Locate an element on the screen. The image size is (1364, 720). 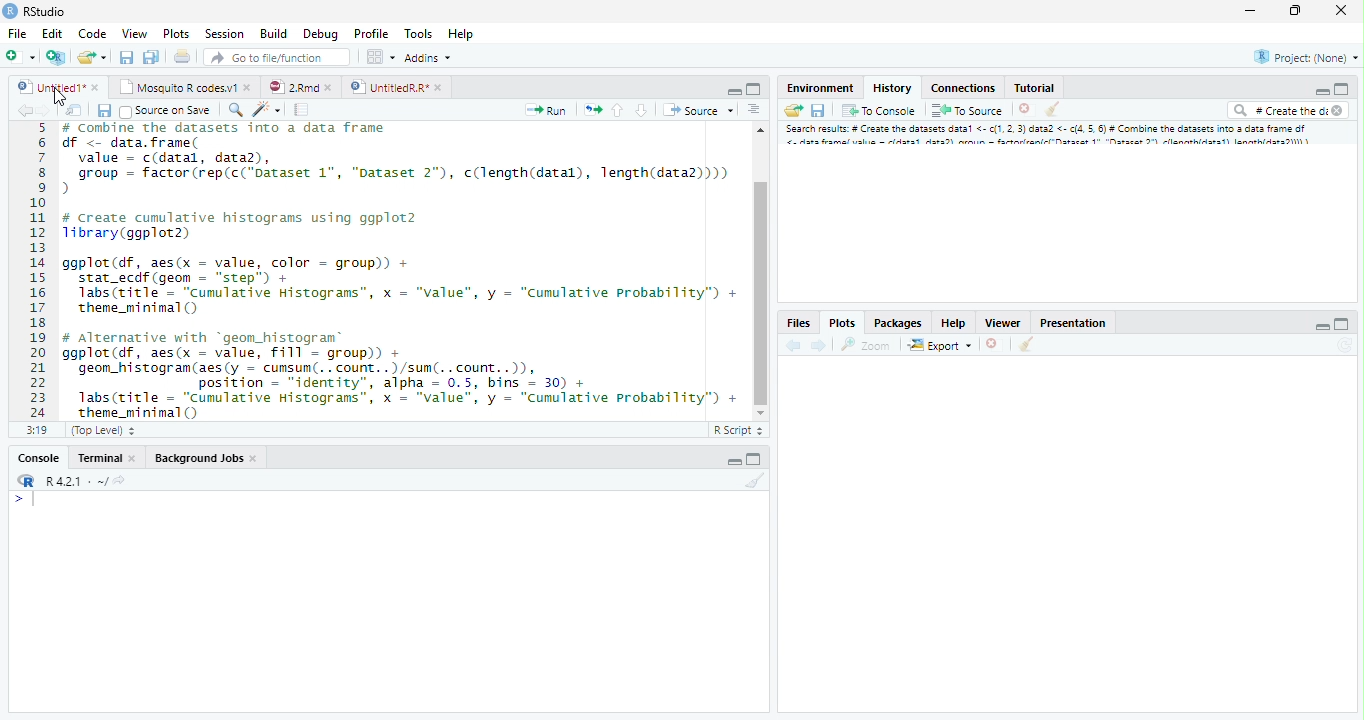
2.Rmd is located at coordinates (298, 85).